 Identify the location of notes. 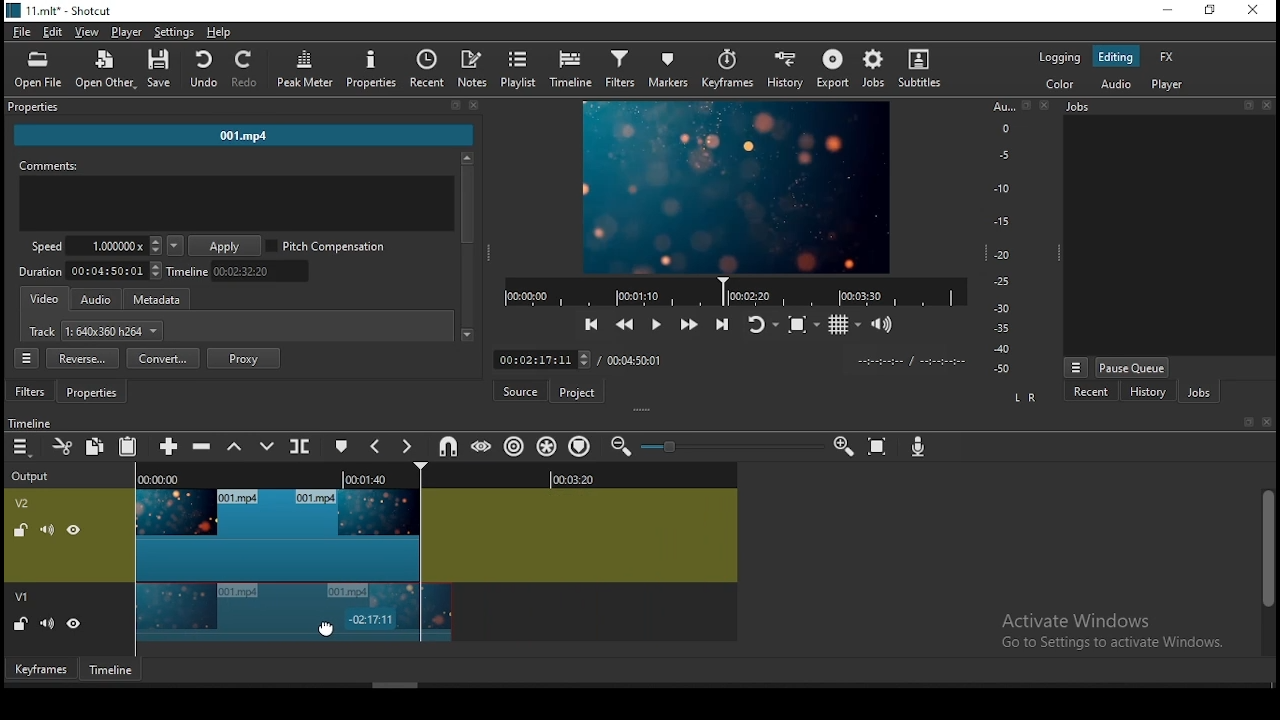
(475, 69).